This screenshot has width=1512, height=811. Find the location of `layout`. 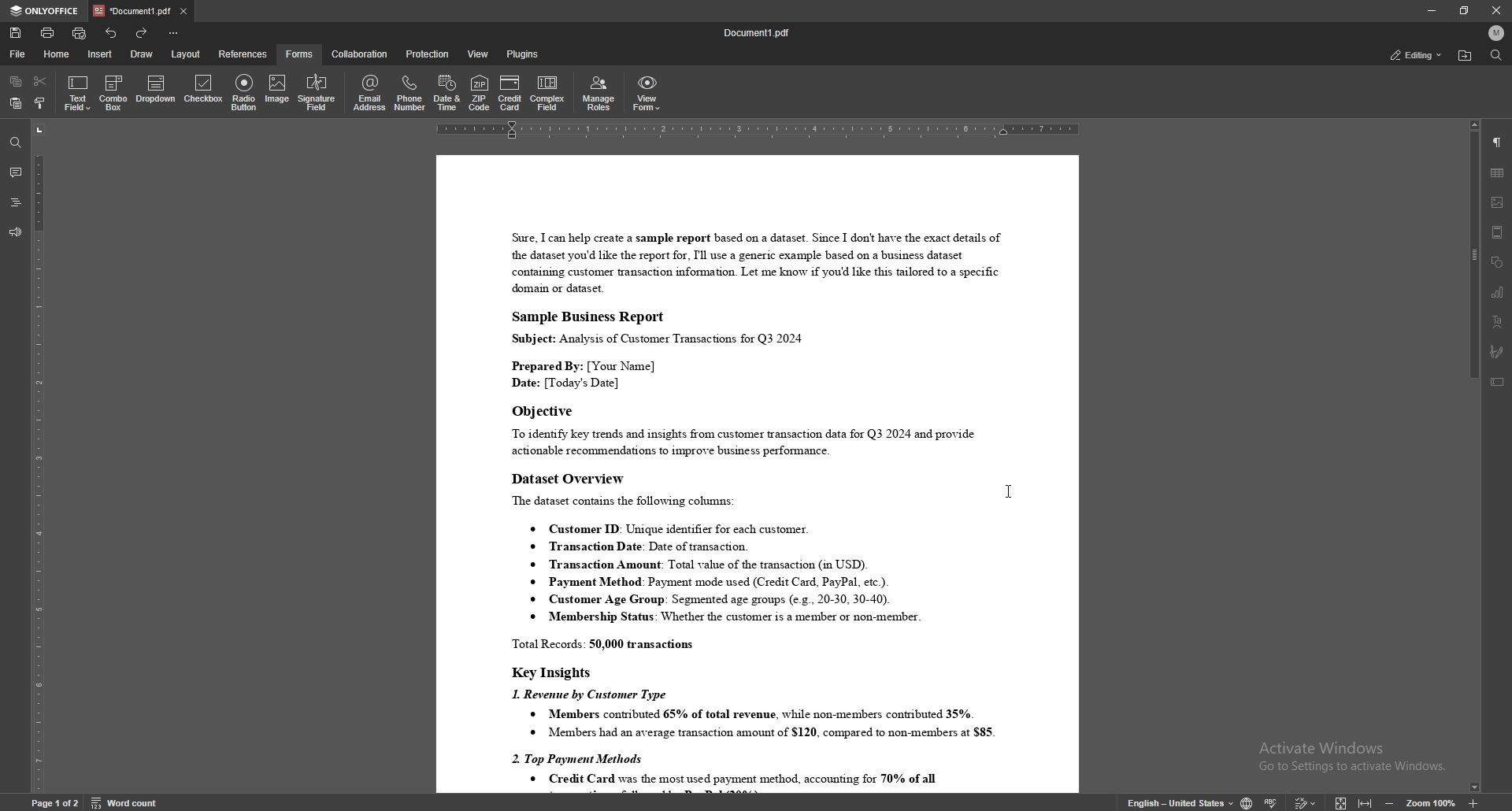

layout is located at coordinates (185, 54).